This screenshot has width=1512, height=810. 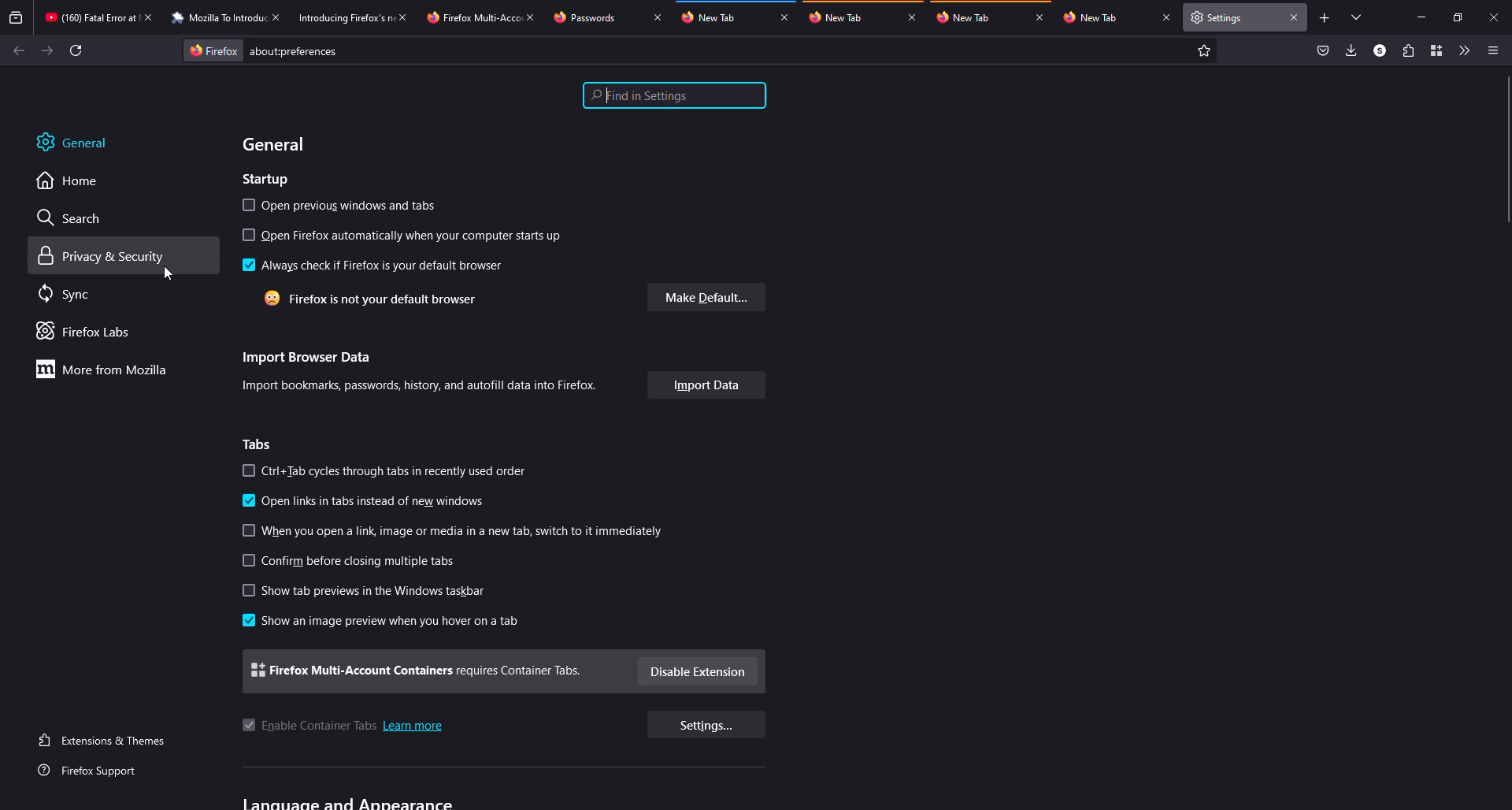 I want to click on themes, so click(x=106, y=741).